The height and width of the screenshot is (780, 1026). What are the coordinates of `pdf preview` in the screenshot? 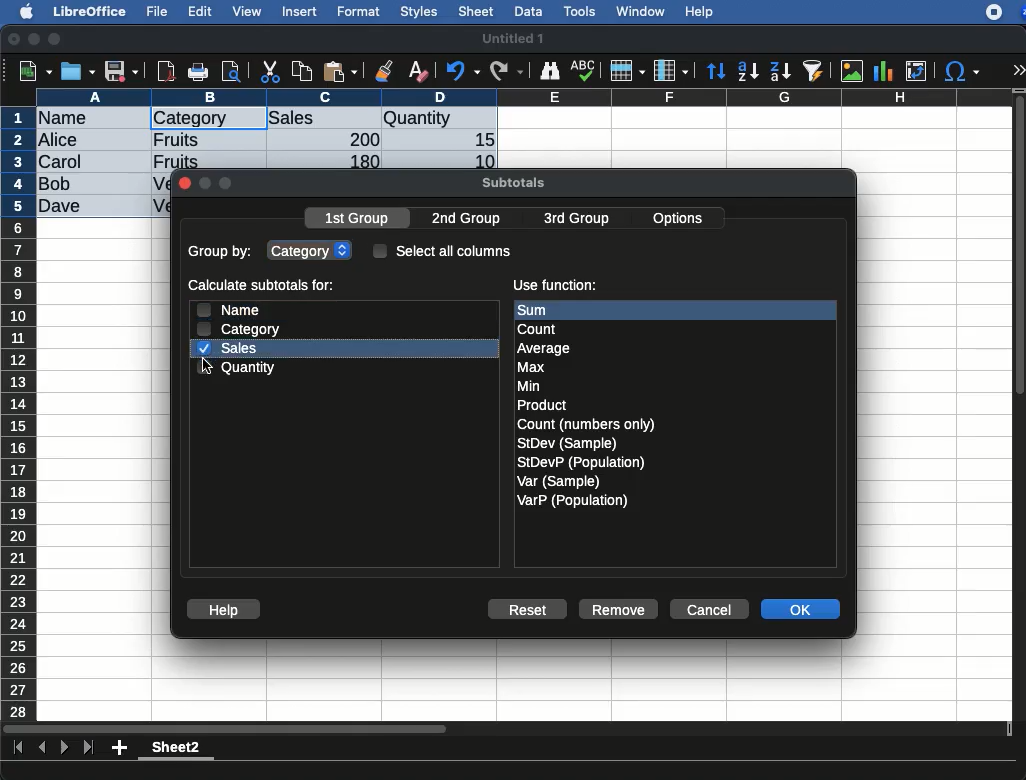 It's located at (167, 71).